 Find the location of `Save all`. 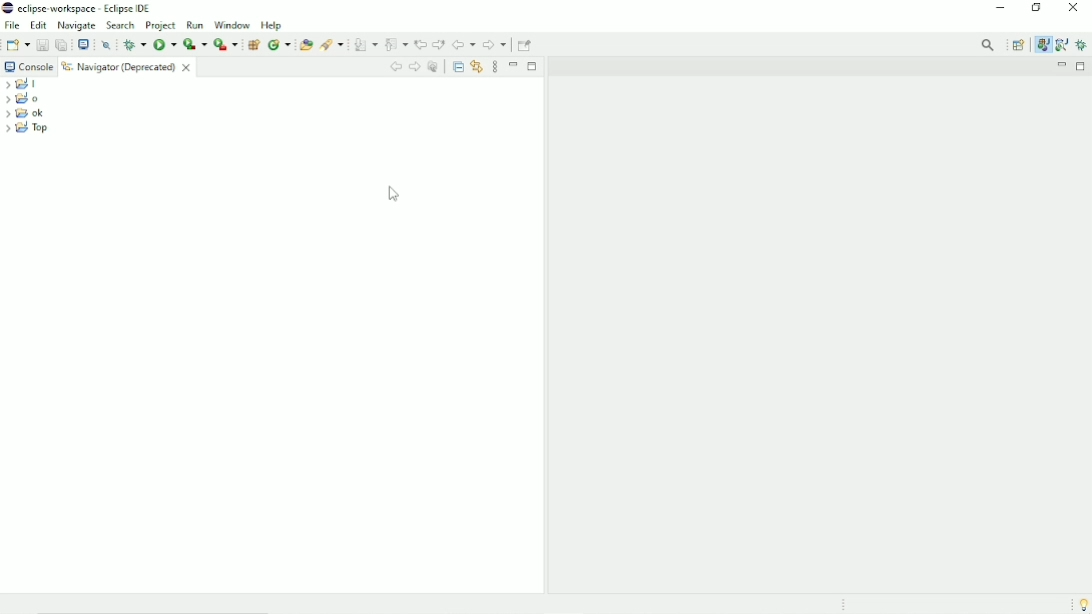

Save all is located at coordinates (60, 44).